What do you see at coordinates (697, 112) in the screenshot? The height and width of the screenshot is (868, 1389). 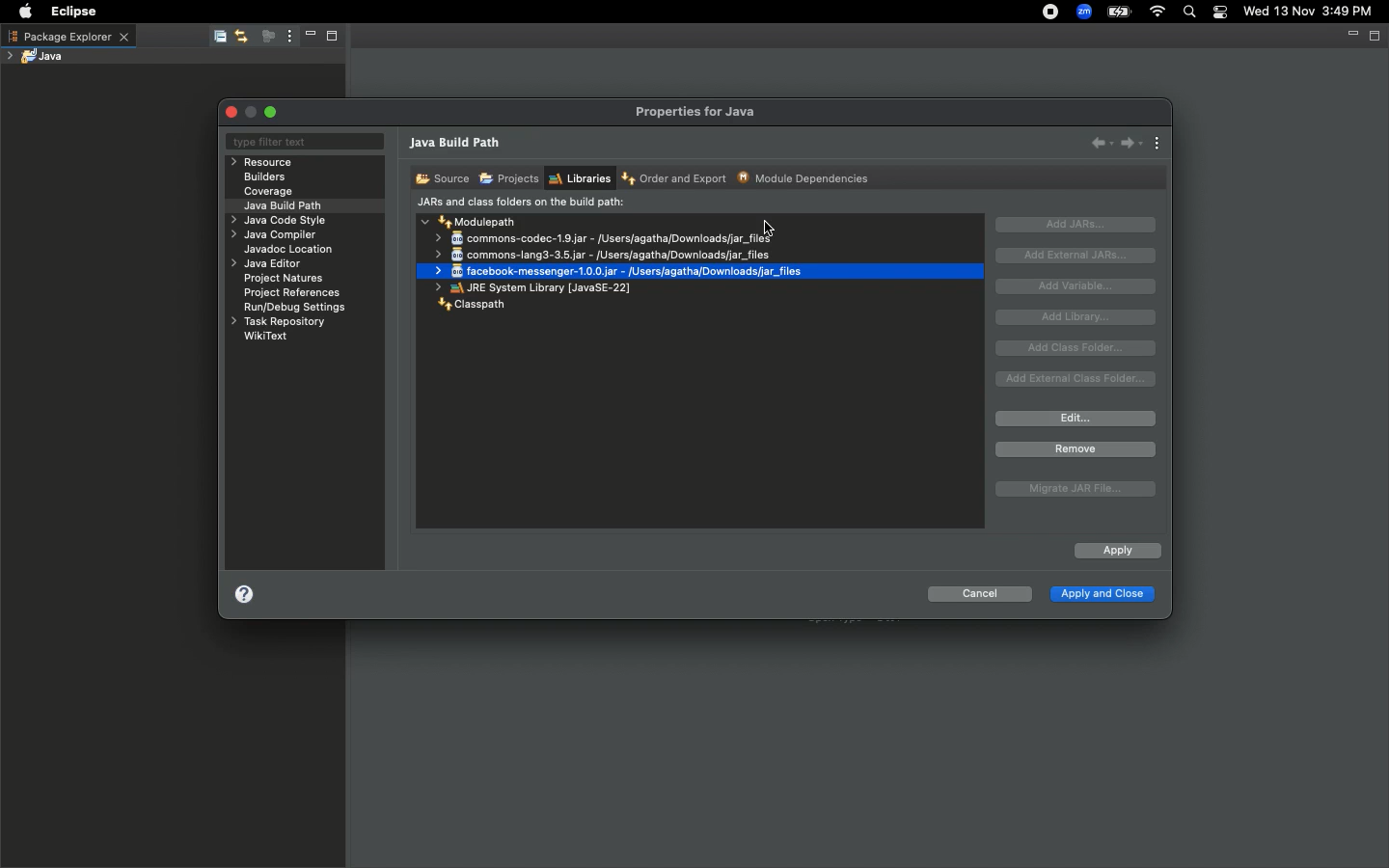 I see `Properties for java` at bounding box center [697, 112].